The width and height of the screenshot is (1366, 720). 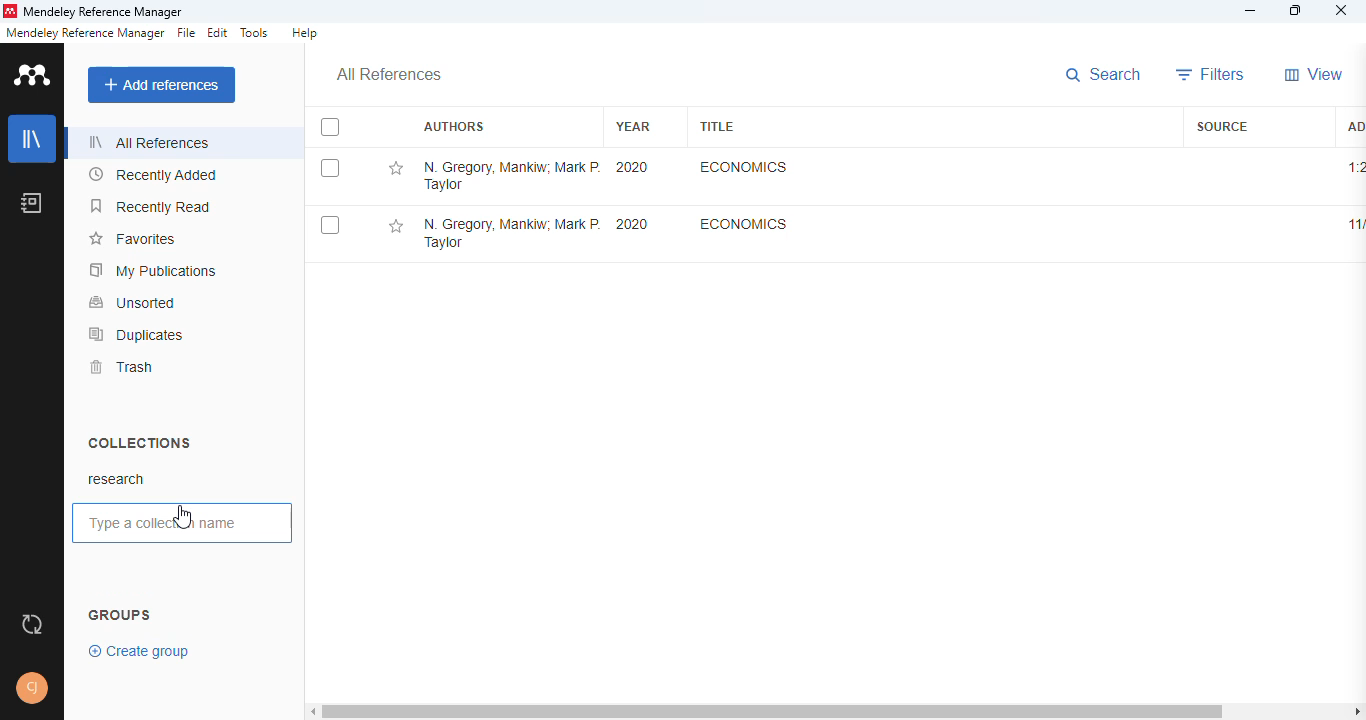 What do you see at coordinates (395, 169) in the screenshot?
I see `add this reference to favorites` at bounding box center [395, 169].